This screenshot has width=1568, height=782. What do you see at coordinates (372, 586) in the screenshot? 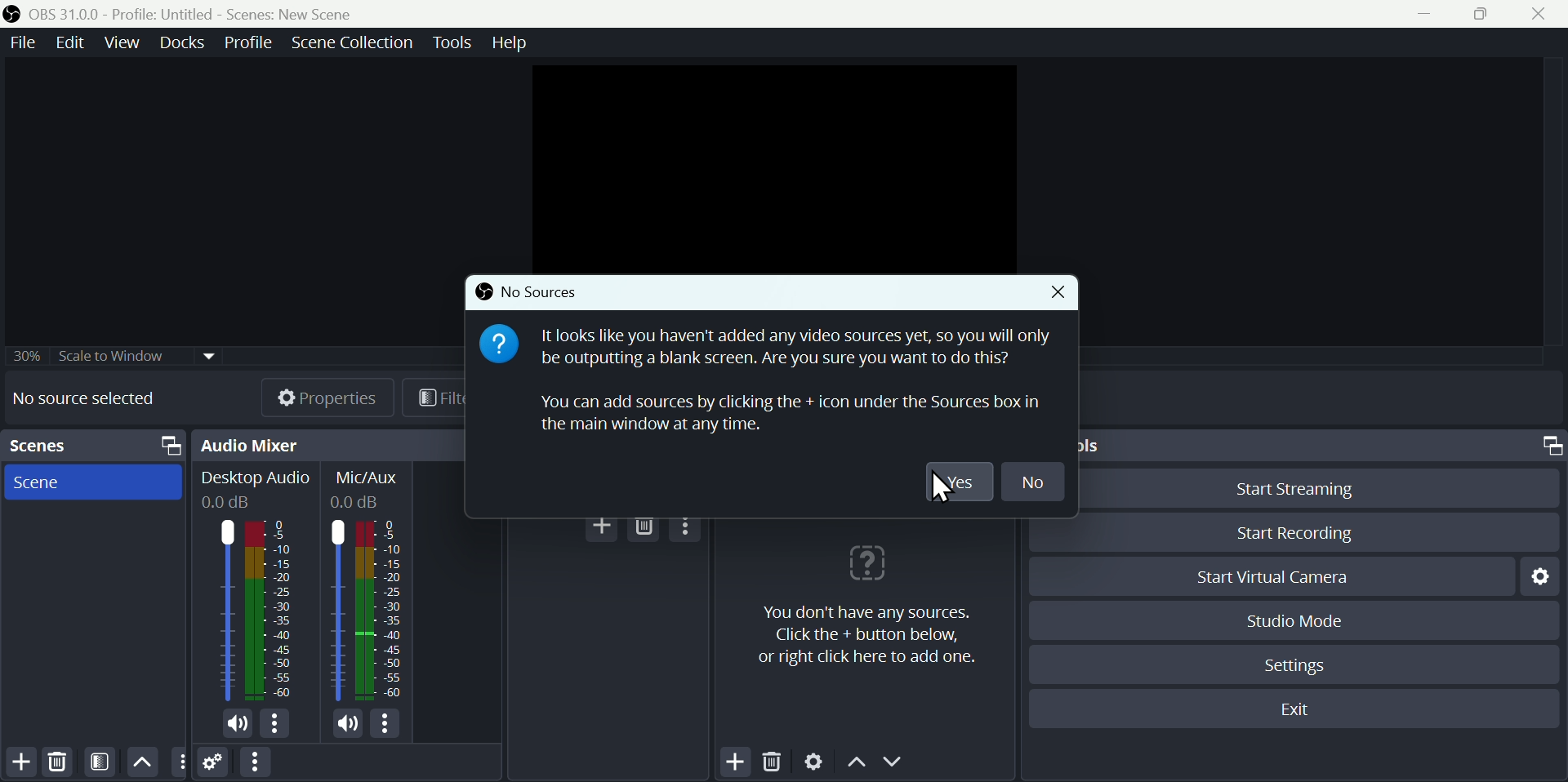
I see `Mic/Aux` at bounding box center [372, 586].